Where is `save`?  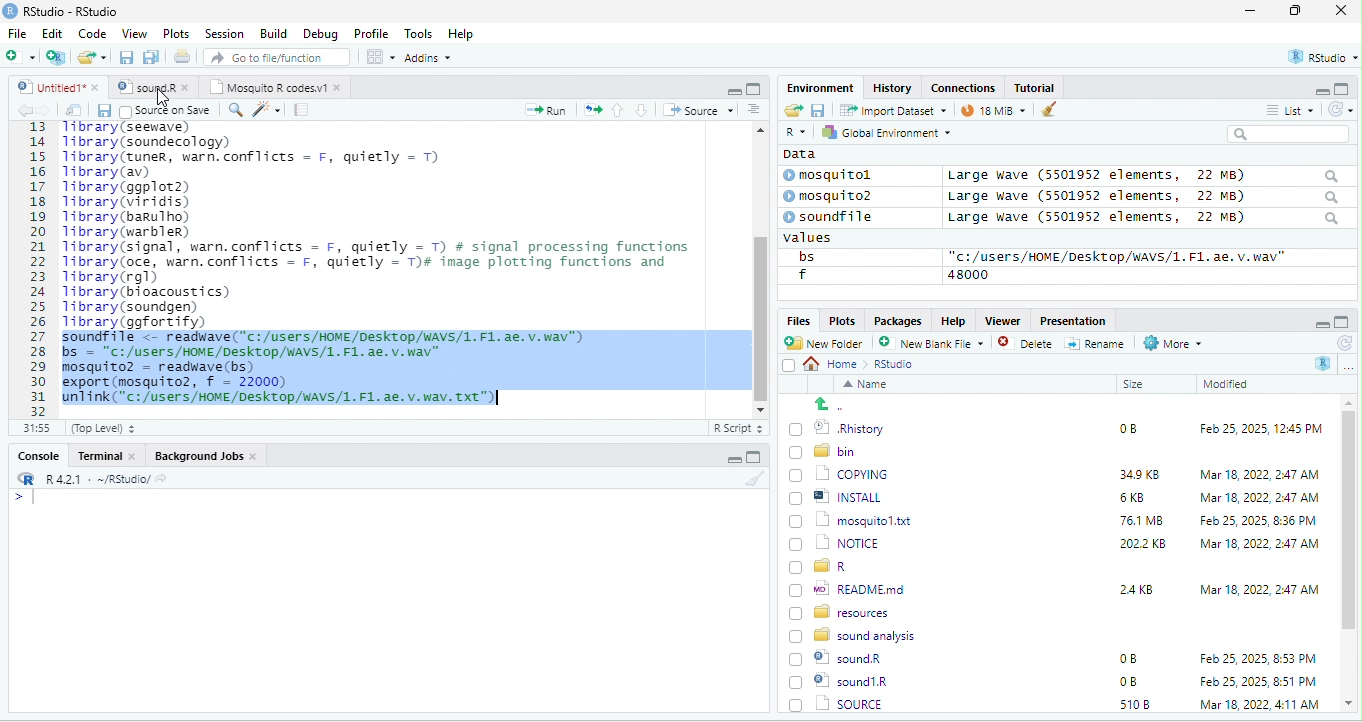
save is located at coordinates (128, 58).